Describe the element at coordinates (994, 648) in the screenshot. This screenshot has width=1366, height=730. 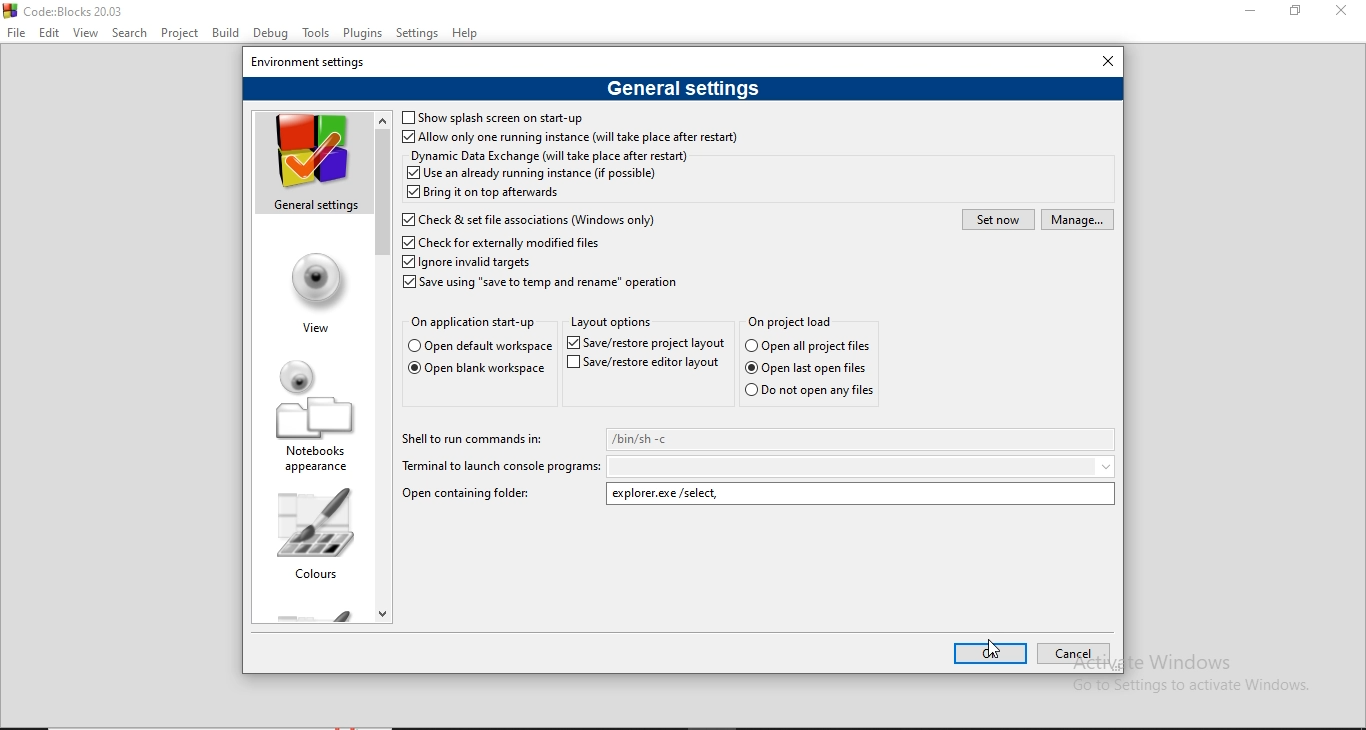
I see `cursor on OK button` at that location.